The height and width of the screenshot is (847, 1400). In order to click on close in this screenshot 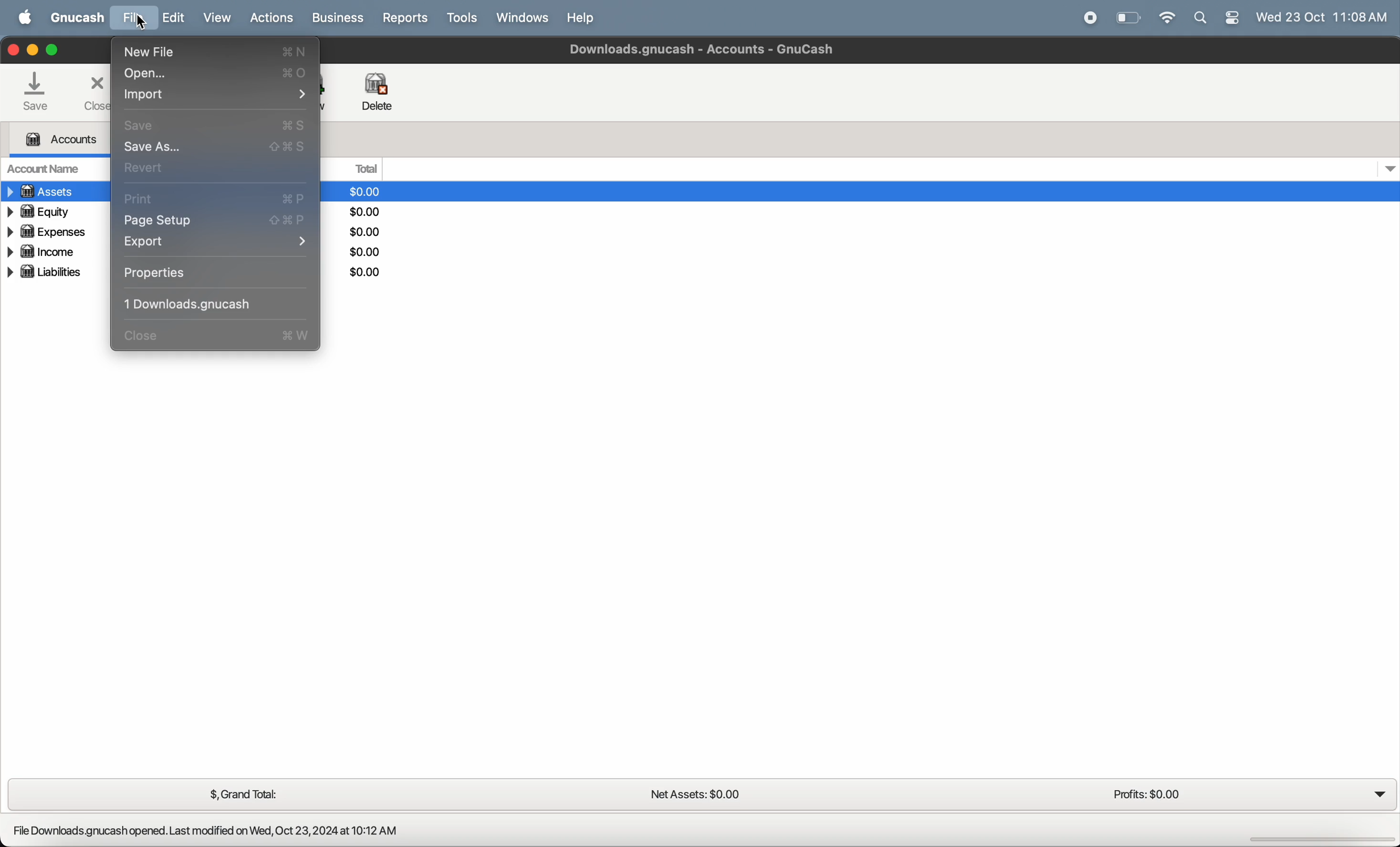, I will do `click(216, 335)`.